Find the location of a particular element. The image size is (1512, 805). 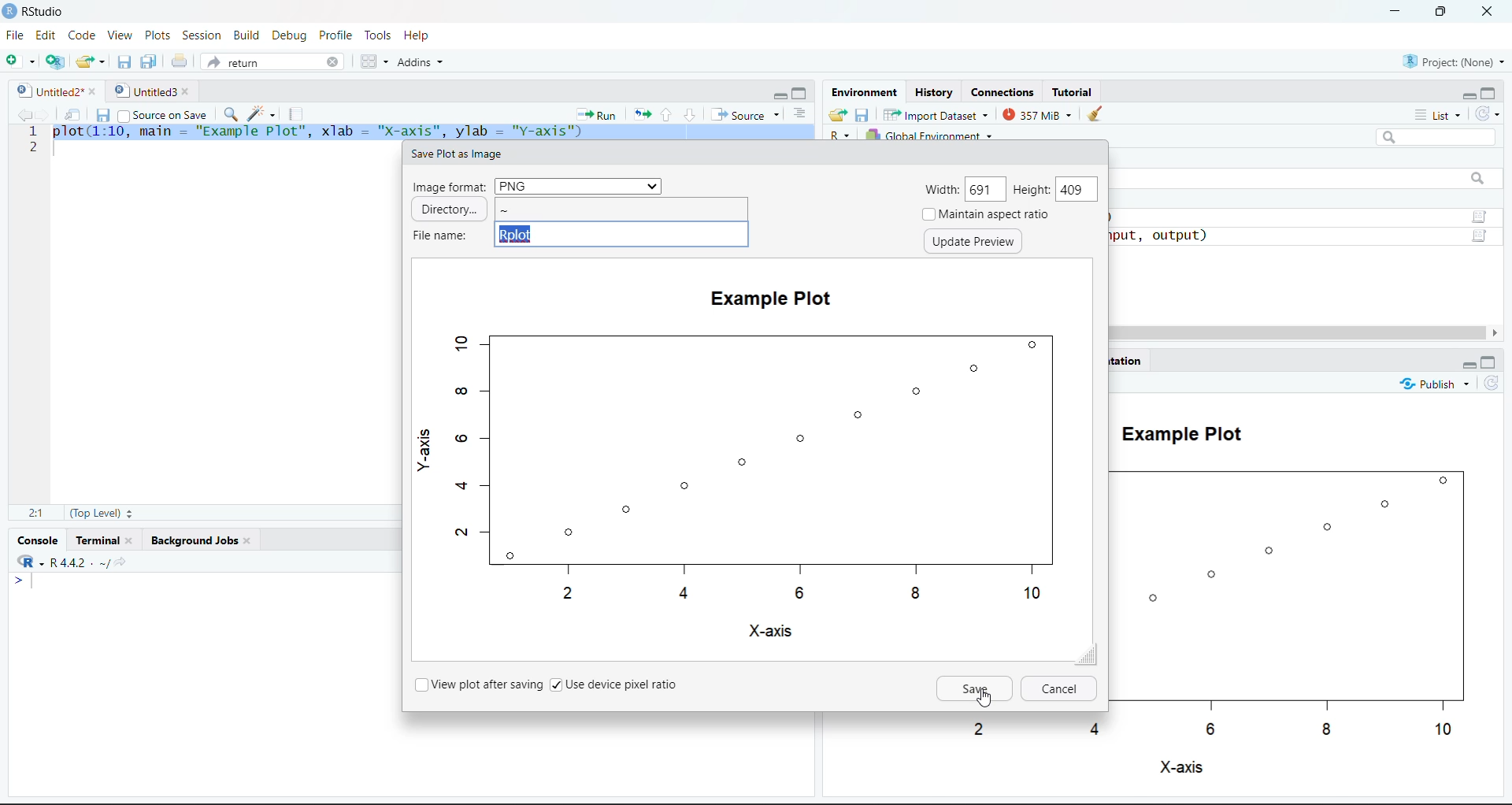

R.4.4.2. ~/ is located at coordinates (74, 562).